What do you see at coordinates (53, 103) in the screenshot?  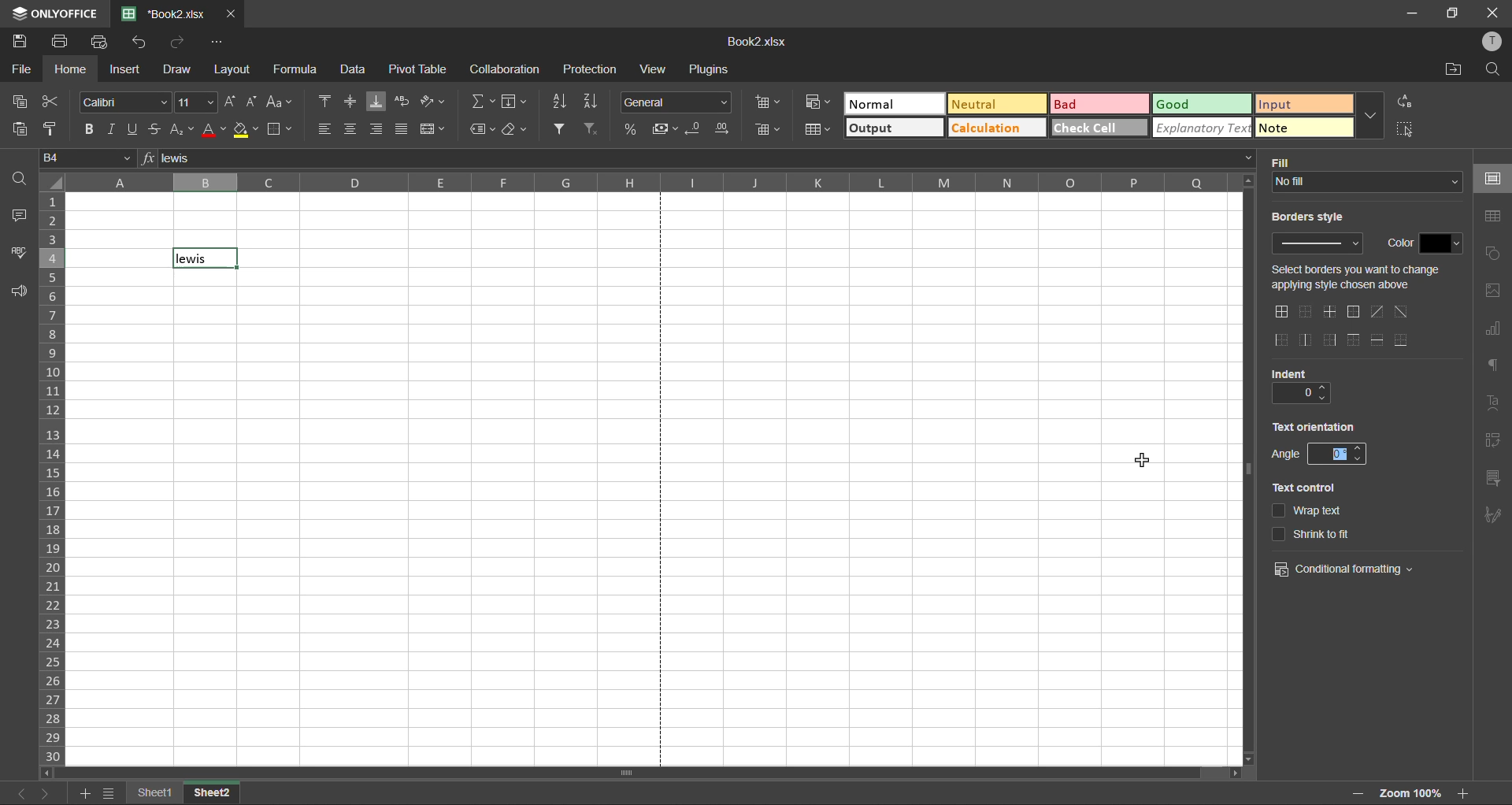 I see `cut` at bounding box center [53, 103].